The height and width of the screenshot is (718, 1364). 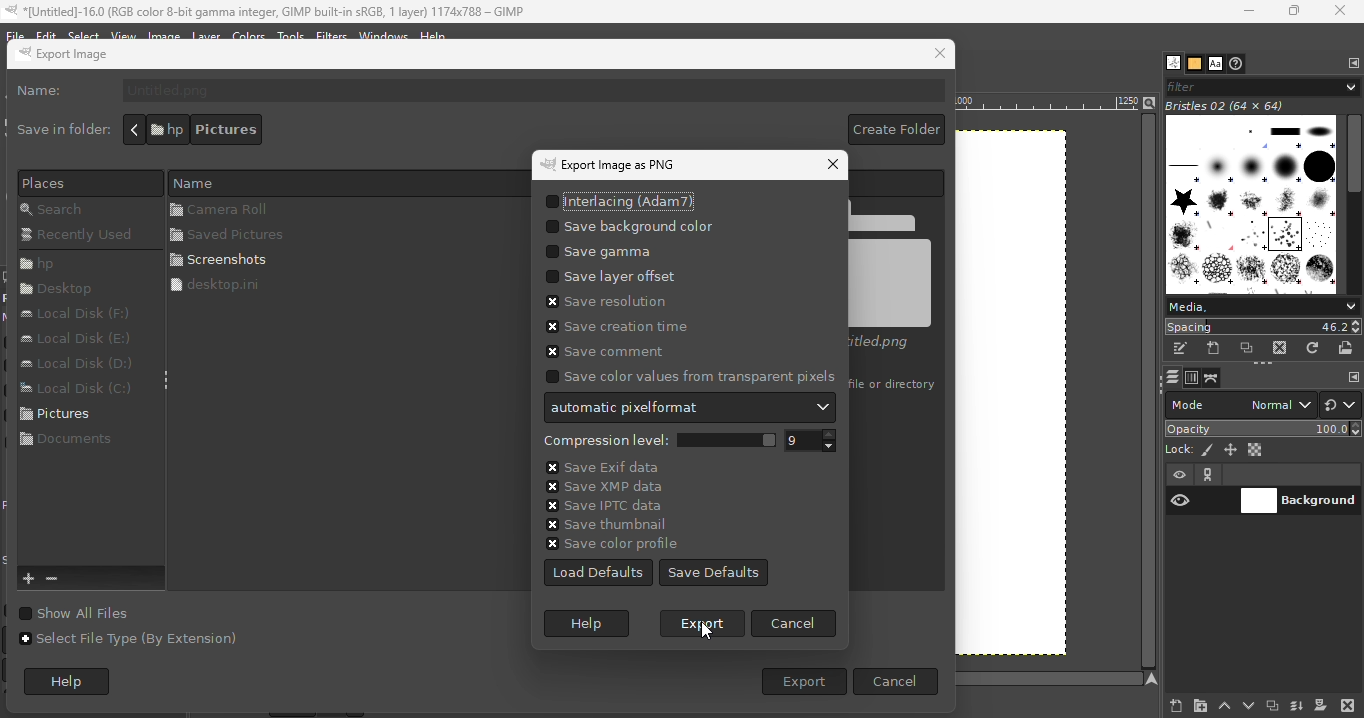 I want to click on Maximize, so click(x=1295, y=12).